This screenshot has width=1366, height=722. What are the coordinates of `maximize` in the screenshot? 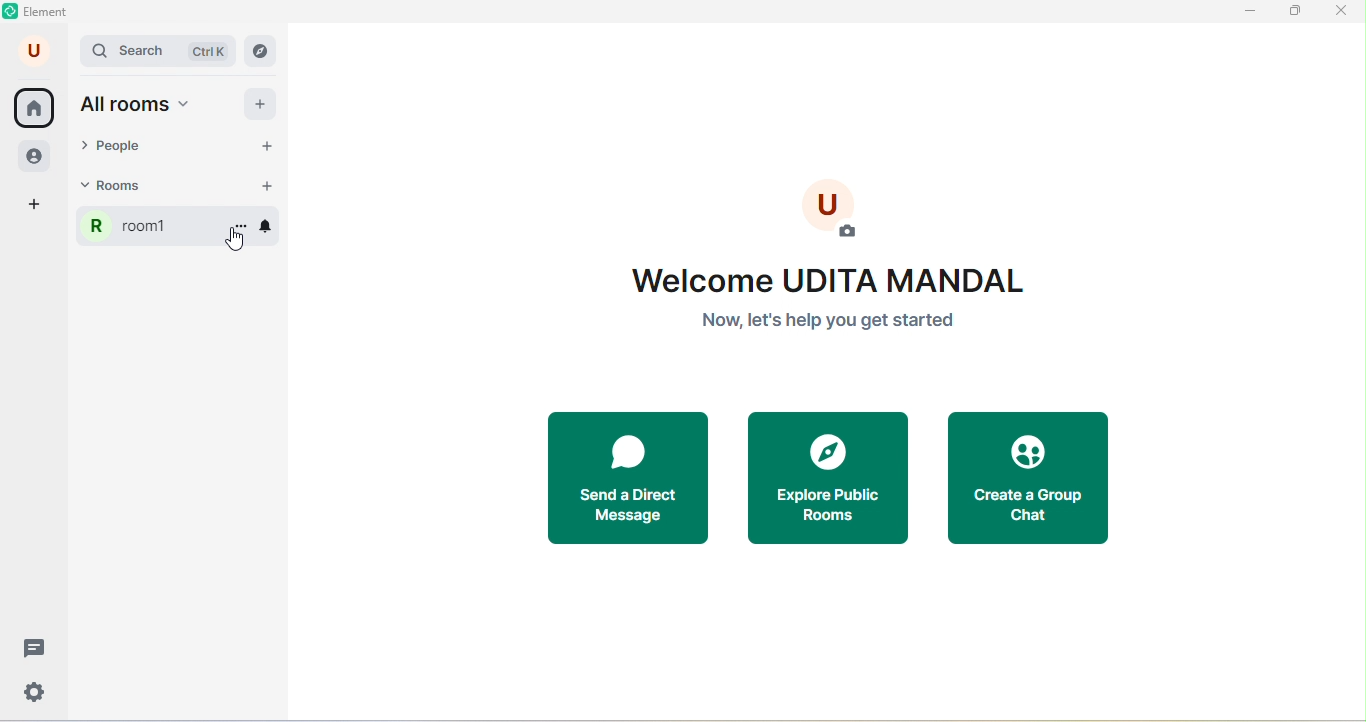 It's located at (1298, 13).